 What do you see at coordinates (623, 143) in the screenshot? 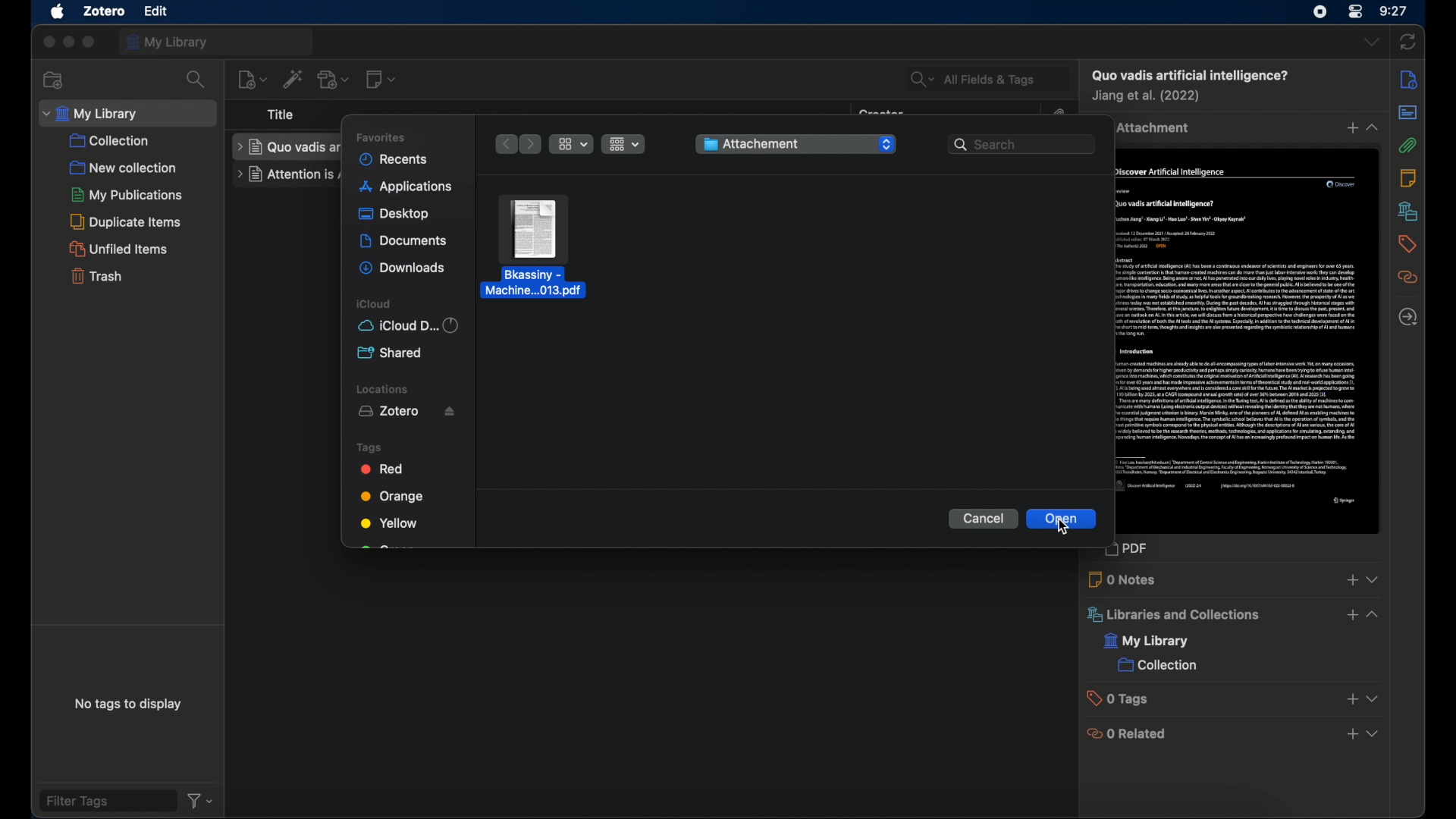
I see `list view` at bounding box center [623, 143].